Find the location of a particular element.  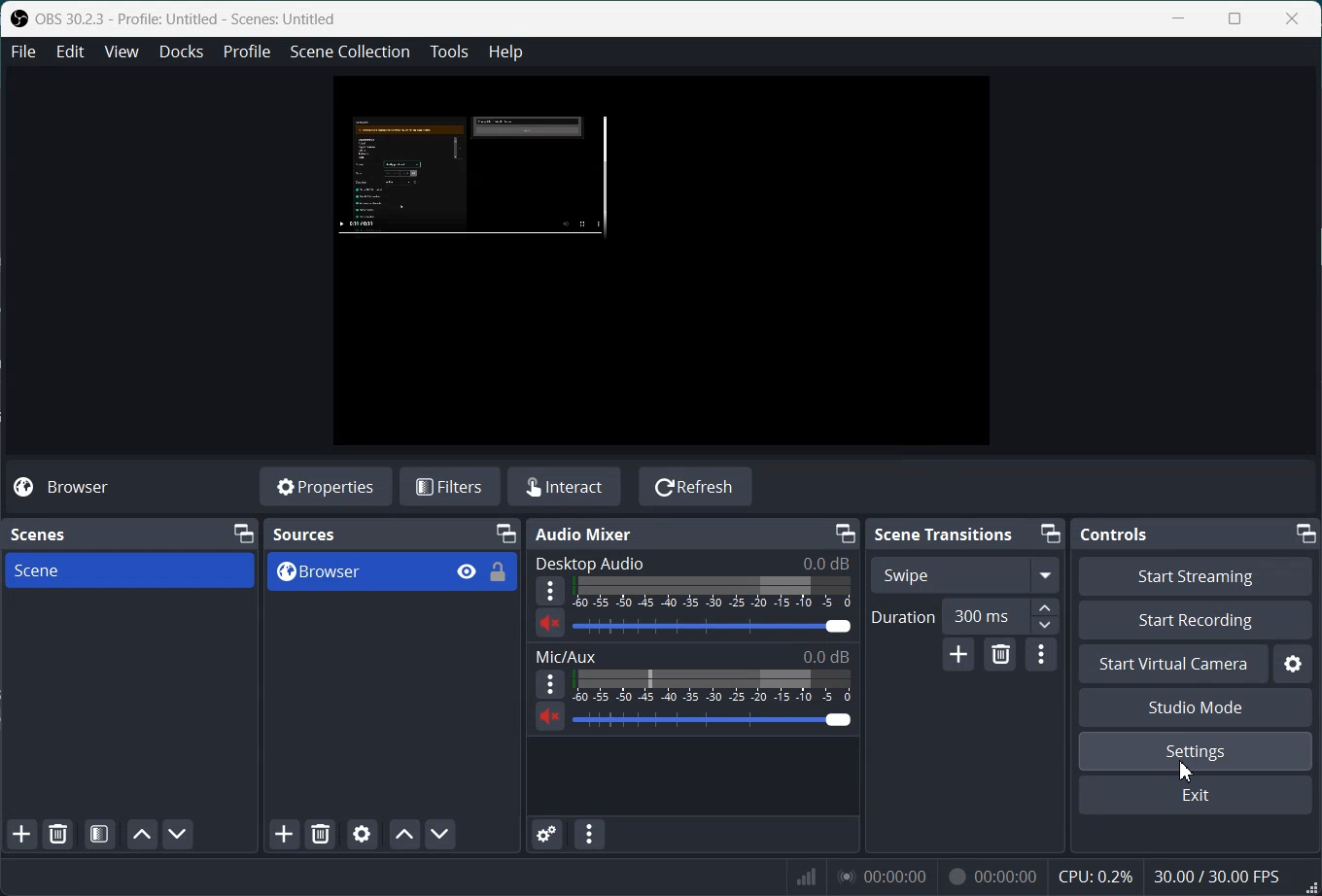

30.00 / 30.00 FPS is located at coordinates (1216, 876).